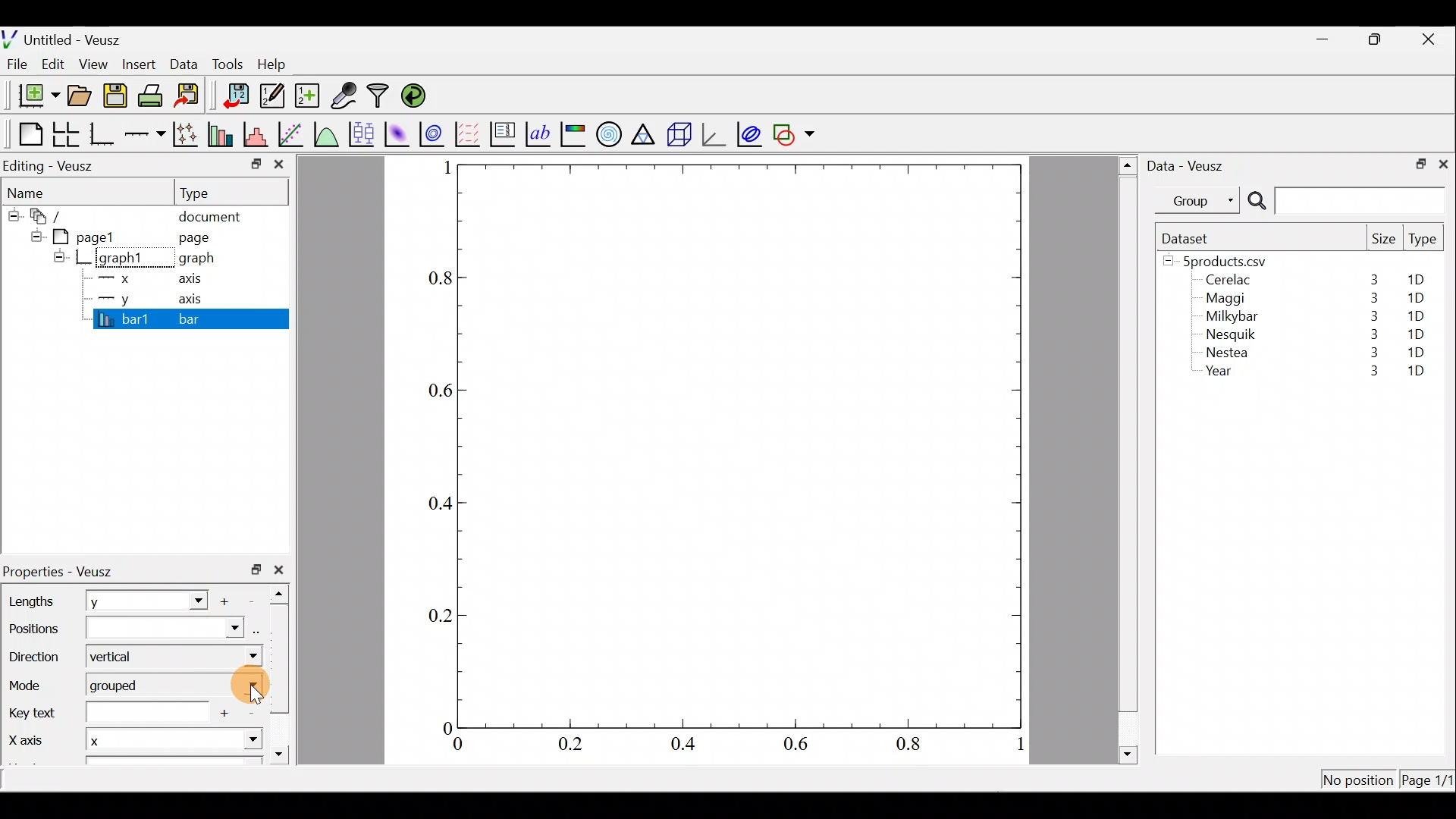 The image size is (1456, 819). Describe the element at coordinates (1415, 298) in the screenshot. I see `1D` at that location.